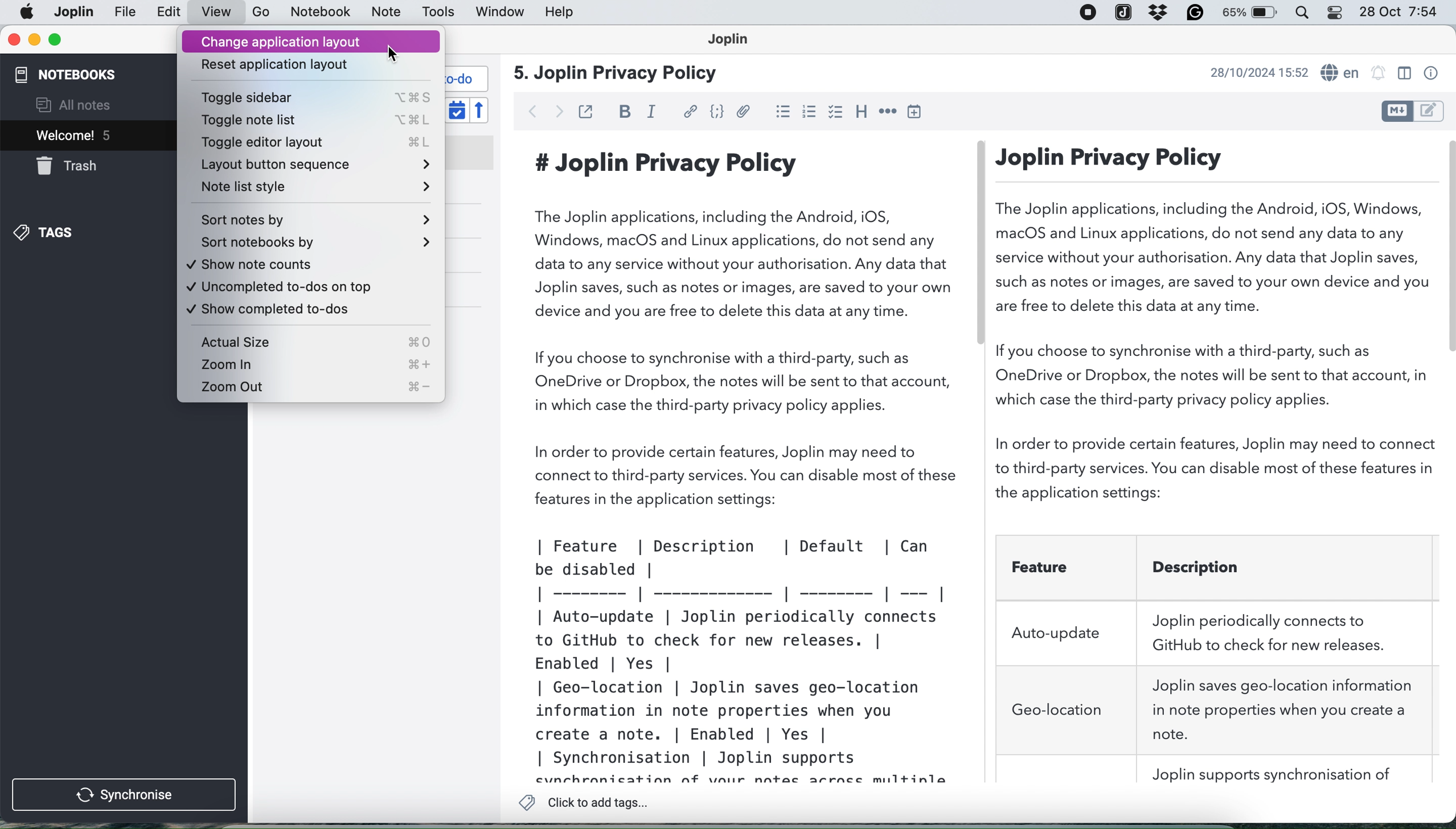  What do you see at coordinates (1342, 73) in the screenshot?
I see `spell checker` at bounding box center [1342, 73].